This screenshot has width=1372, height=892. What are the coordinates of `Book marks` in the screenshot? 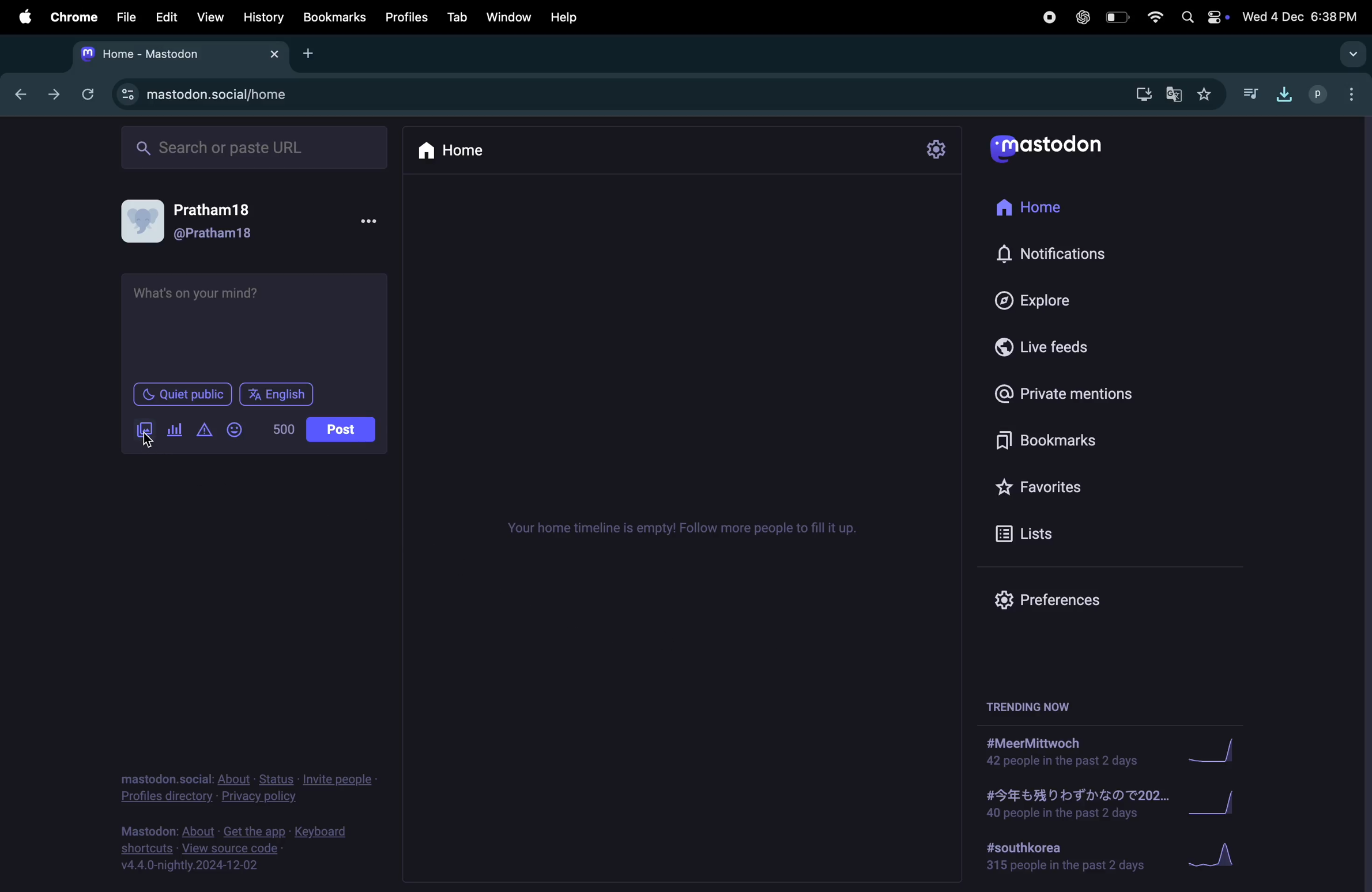 It's located at (1046, 441).